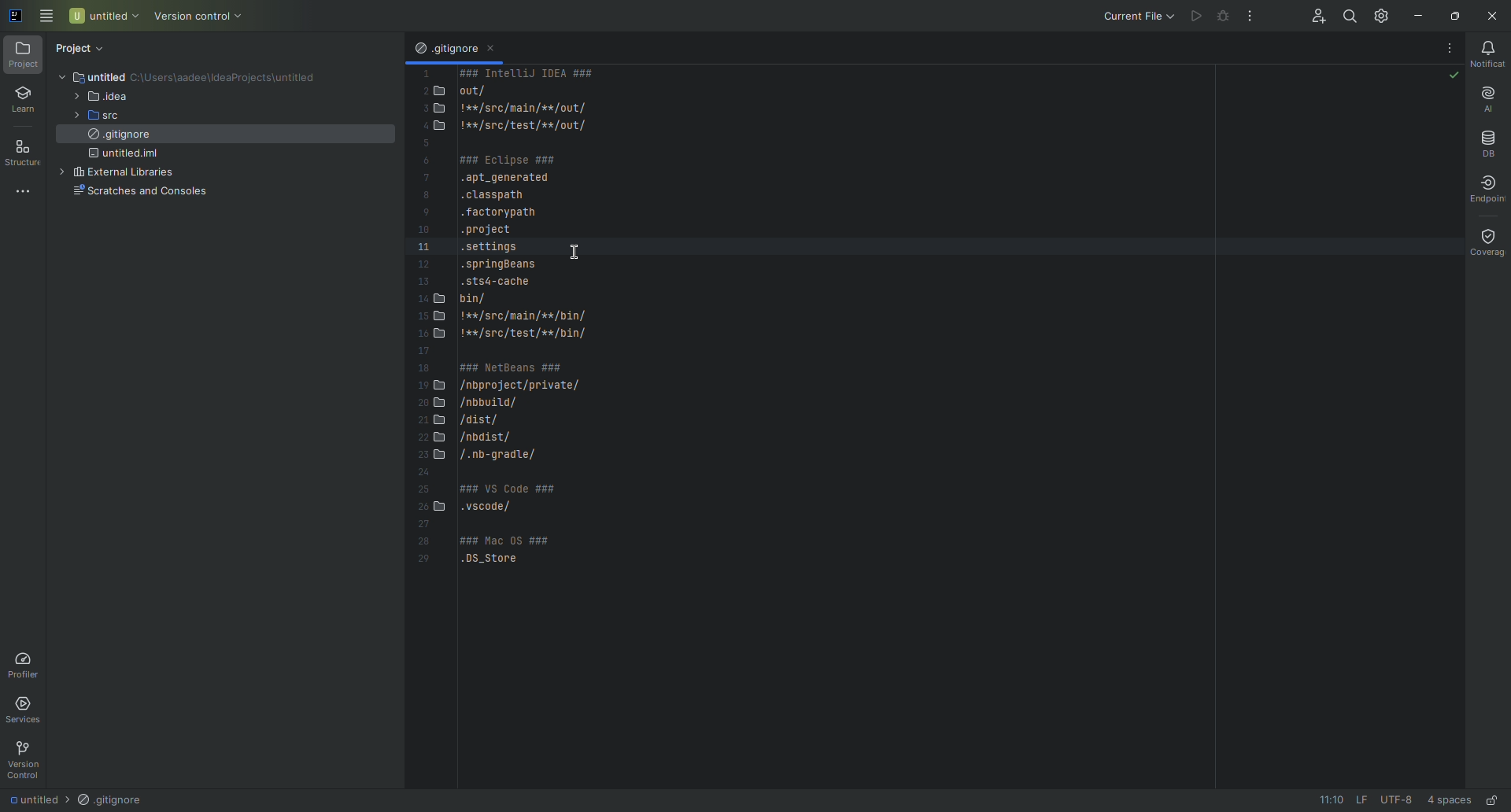  Describe the element at coordinates (1454, 14) in the screenshot. I see `Restore` at that location.